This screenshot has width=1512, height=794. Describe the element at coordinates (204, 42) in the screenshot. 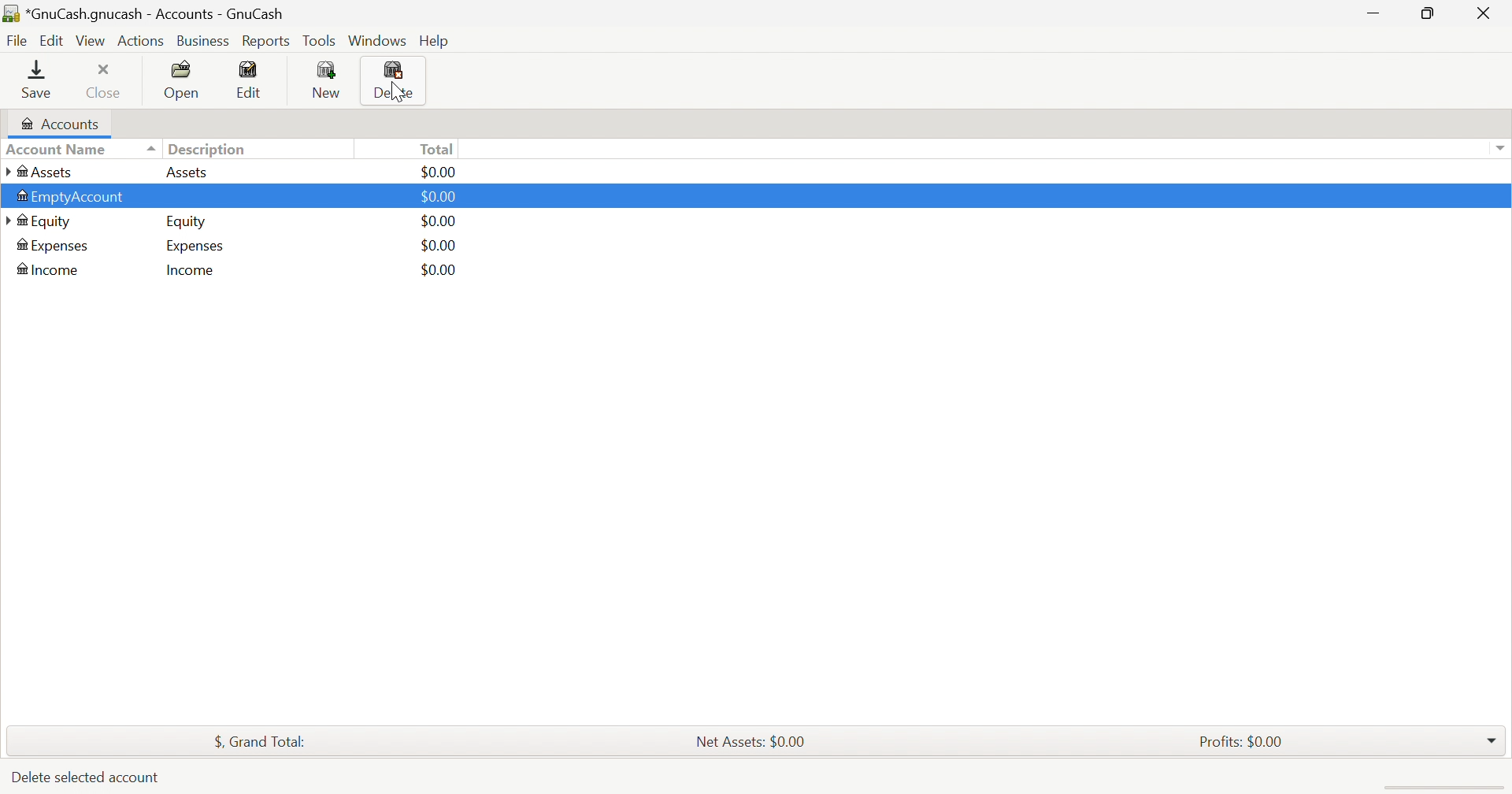

I see `Business` at that location.